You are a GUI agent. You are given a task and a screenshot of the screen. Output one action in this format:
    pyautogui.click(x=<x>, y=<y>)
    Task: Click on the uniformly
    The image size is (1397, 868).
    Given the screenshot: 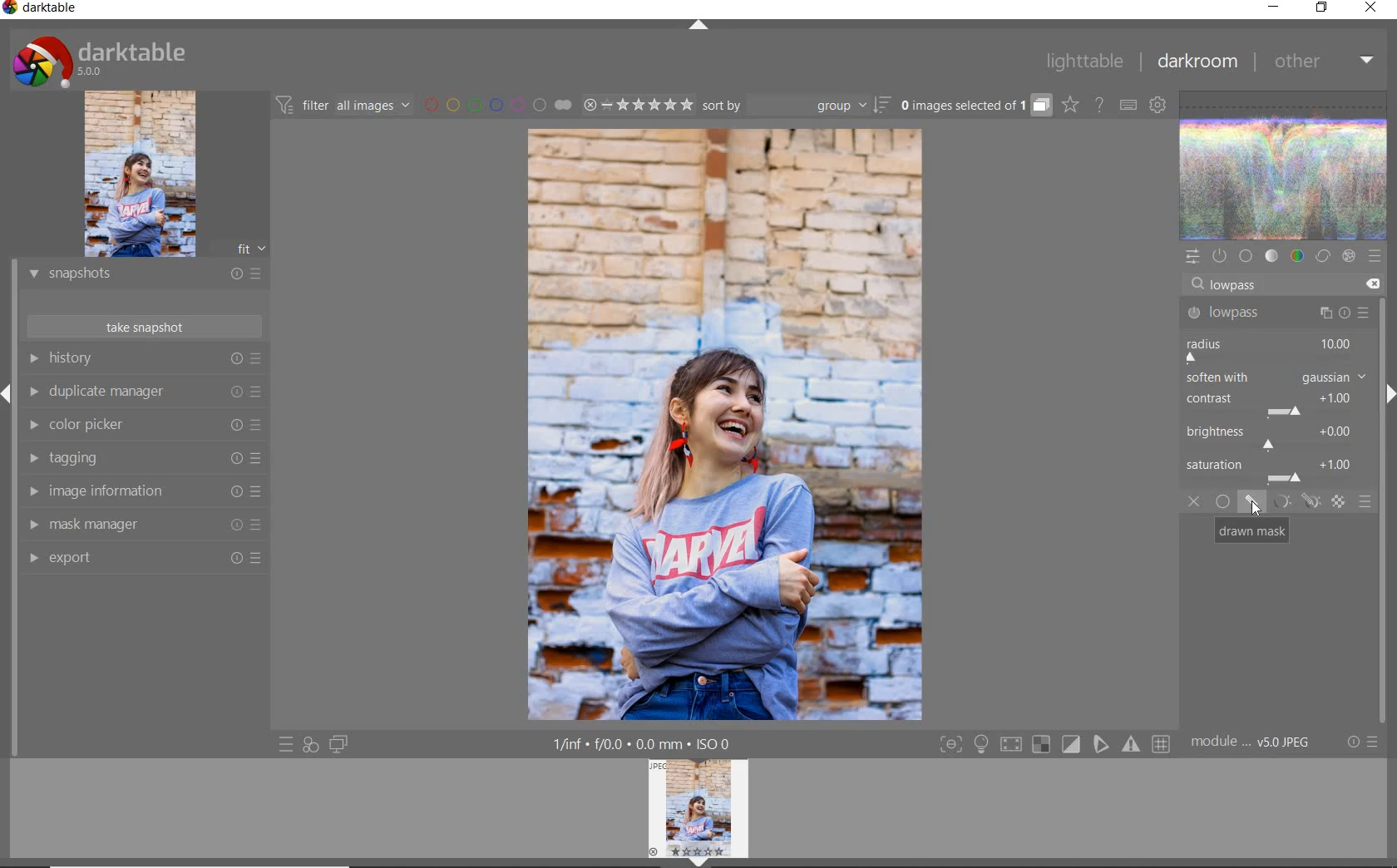 What is the action you would take?
    pyautogui.click(x=1222, y=502)
    